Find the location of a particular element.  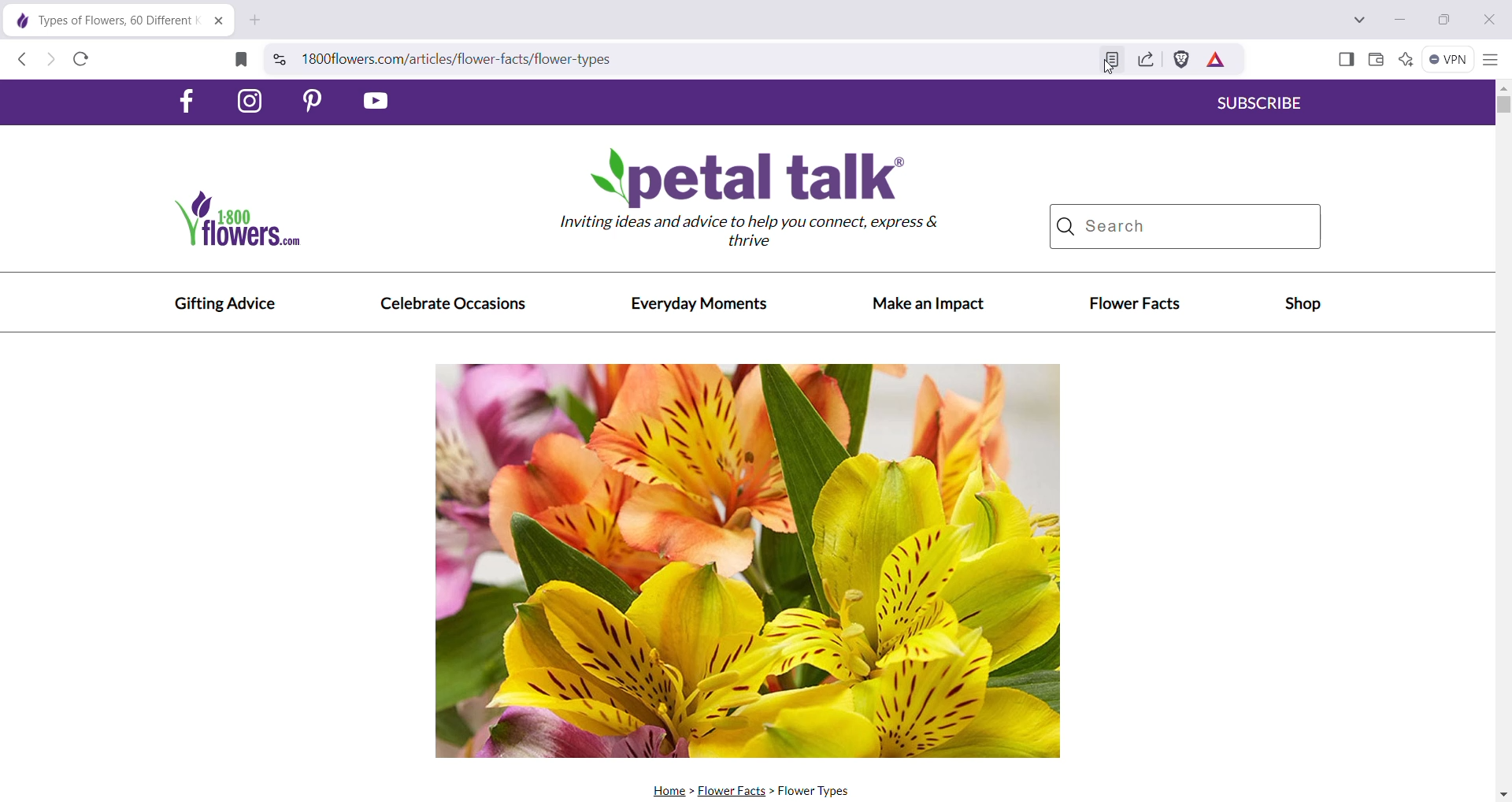

Customize and control Brave is located at coordinates (1489, 61).